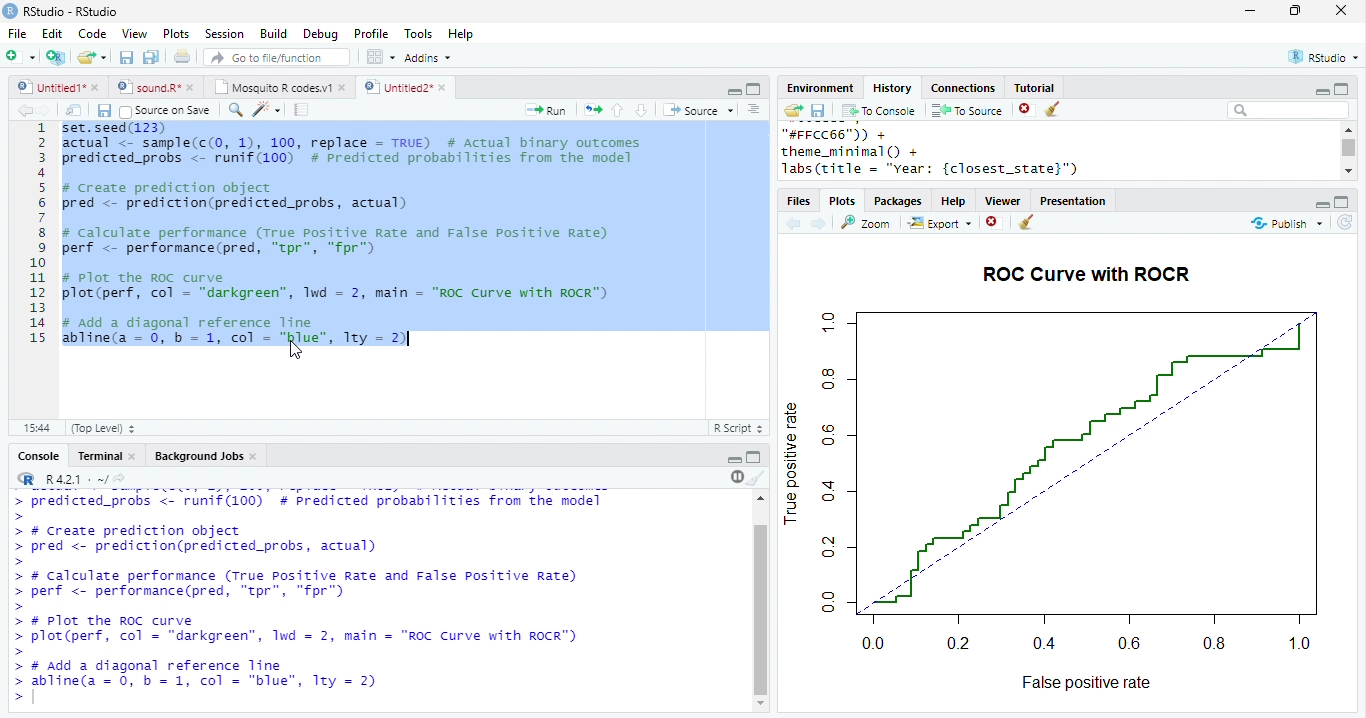  What do you see at coordinates (1326, 56) in the screenshot?
I see `RStudio` at bounding box center [1326, 56].